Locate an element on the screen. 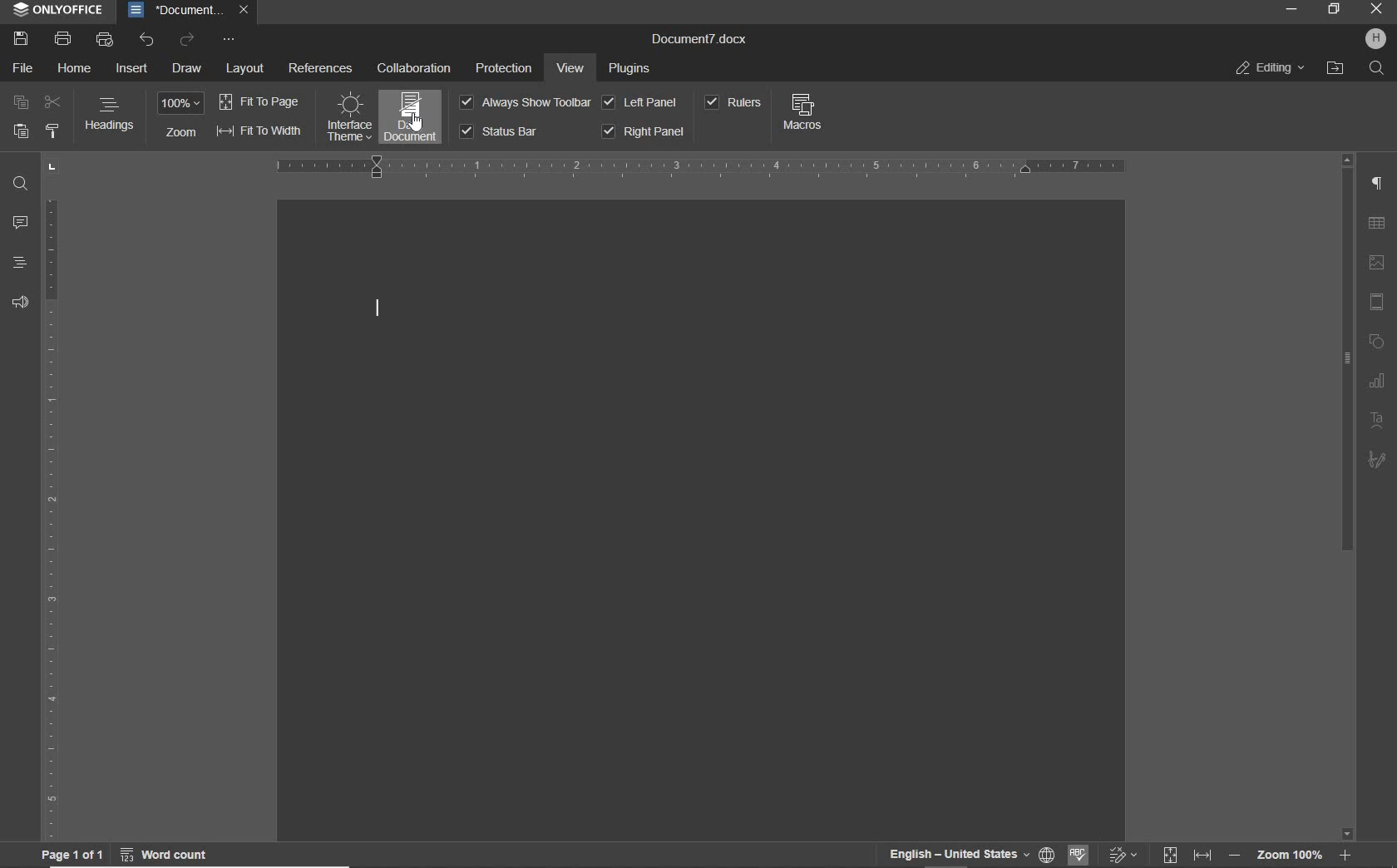 This screenshot has height=868, width=1397. ALWAYS SHOW TOOLBAR is located at coordinates (526, 104).